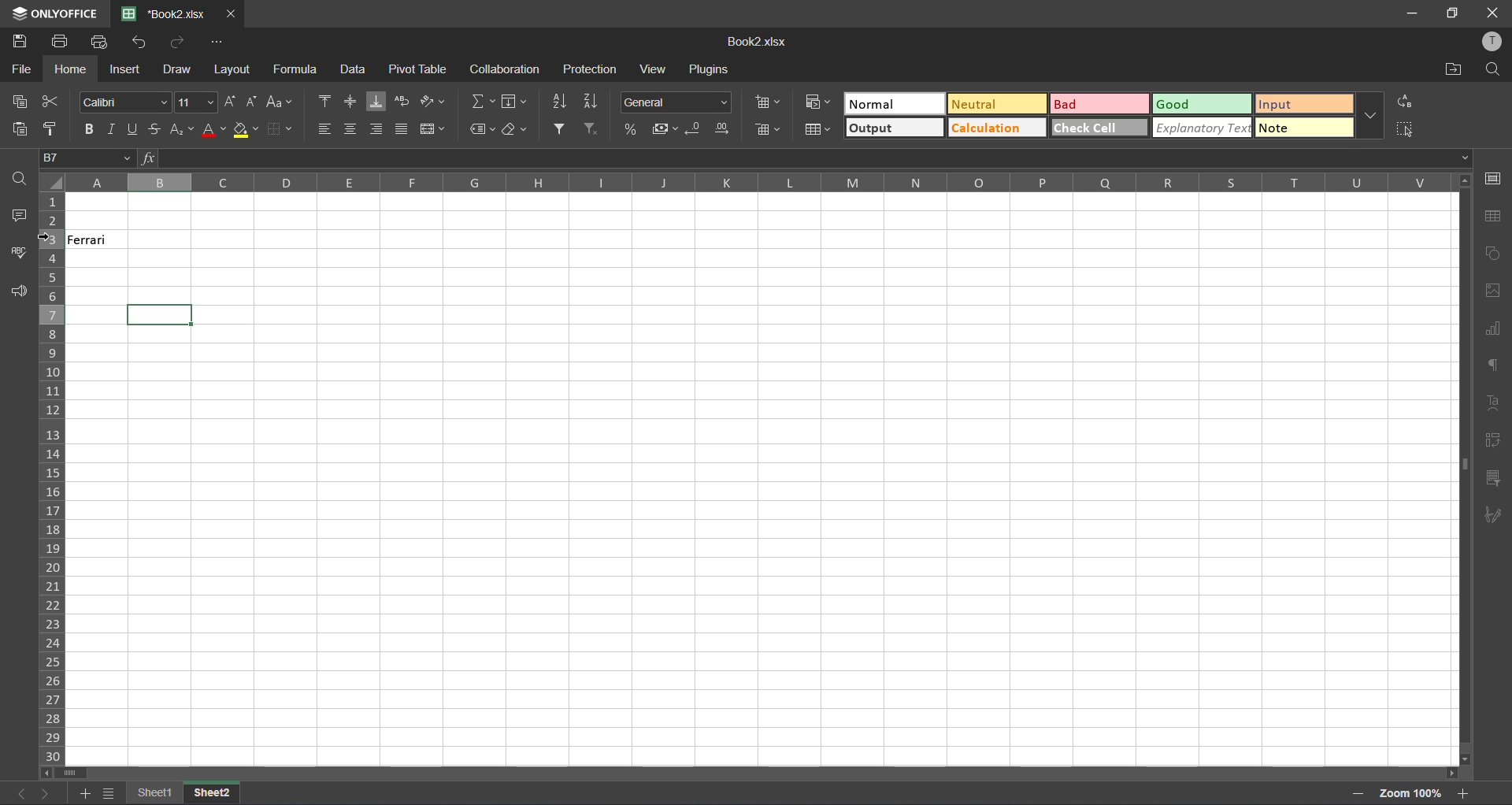 The image size is (1512, 805). What do you see at coordinates (1494, 291) in the screenshot?
I see `images` at bounding box center [1494, 291].